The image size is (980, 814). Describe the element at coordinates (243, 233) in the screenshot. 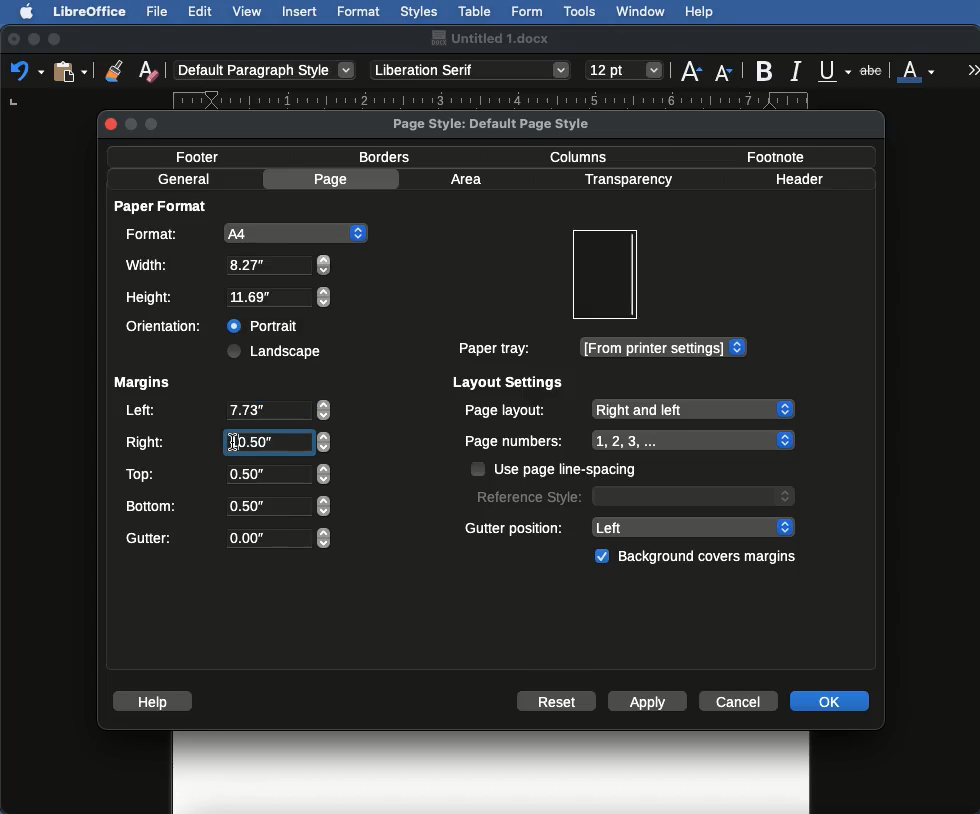

I see `A4` at that location.